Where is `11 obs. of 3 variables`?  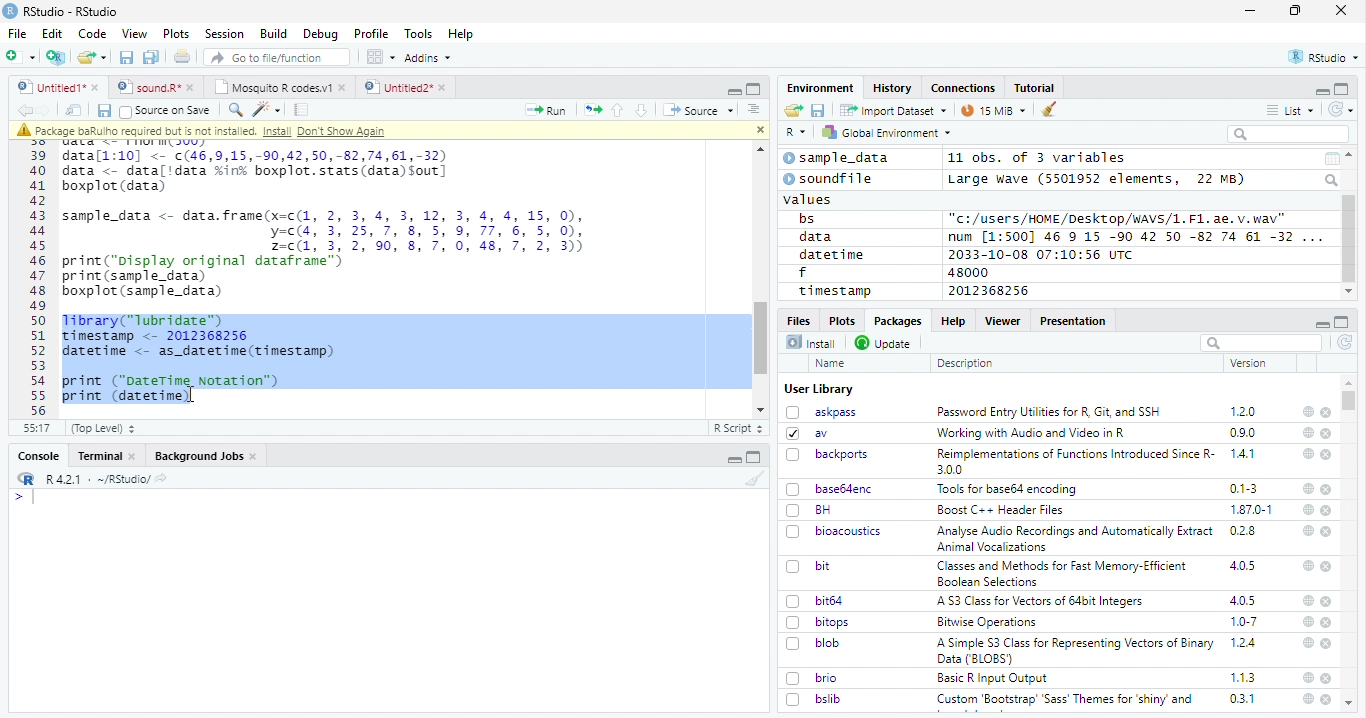 11 obs. of 3 variables is located at coordinates (1038, 159).